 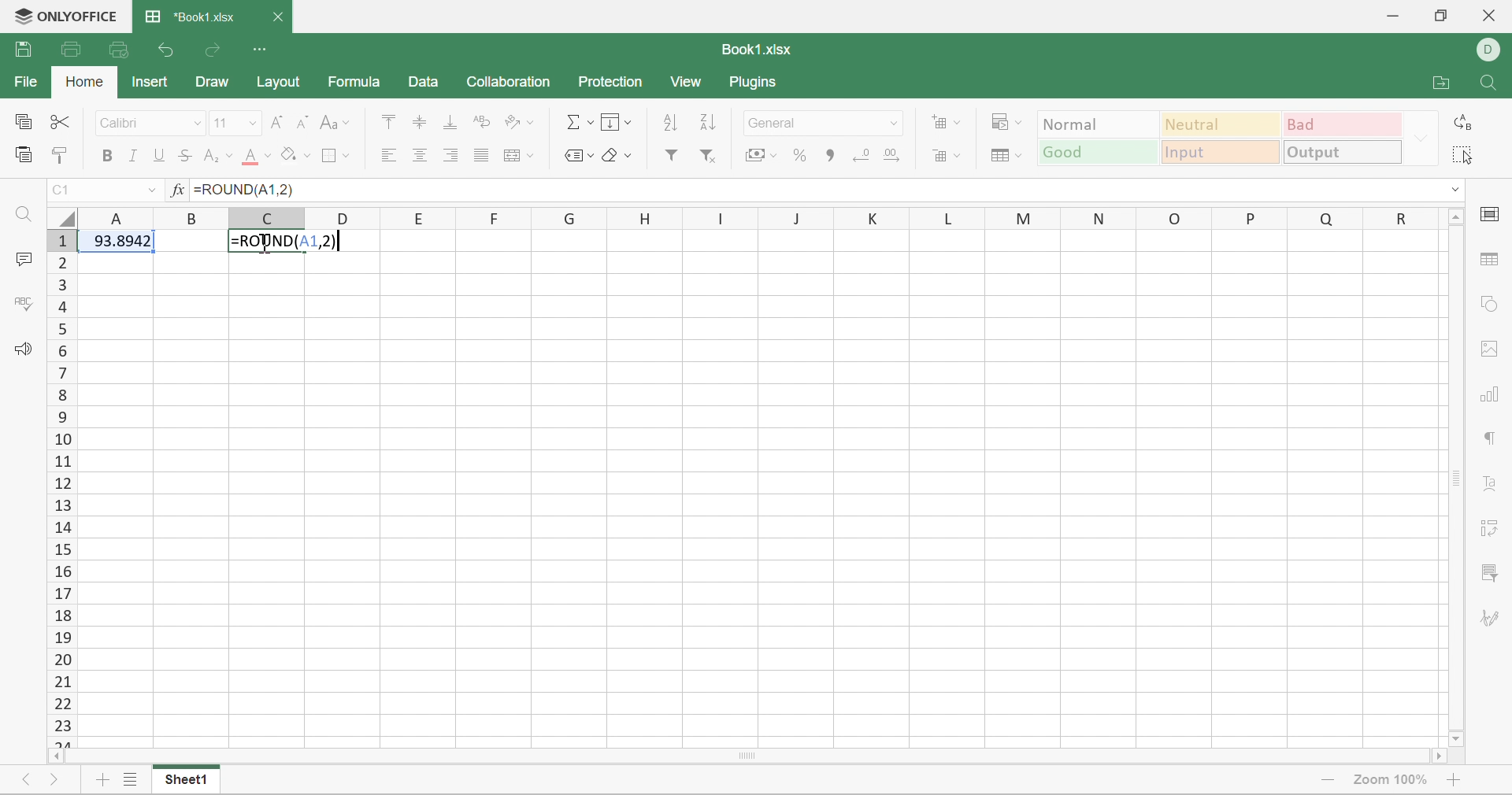 I want to click on Filter, so click(x=676, y=156).